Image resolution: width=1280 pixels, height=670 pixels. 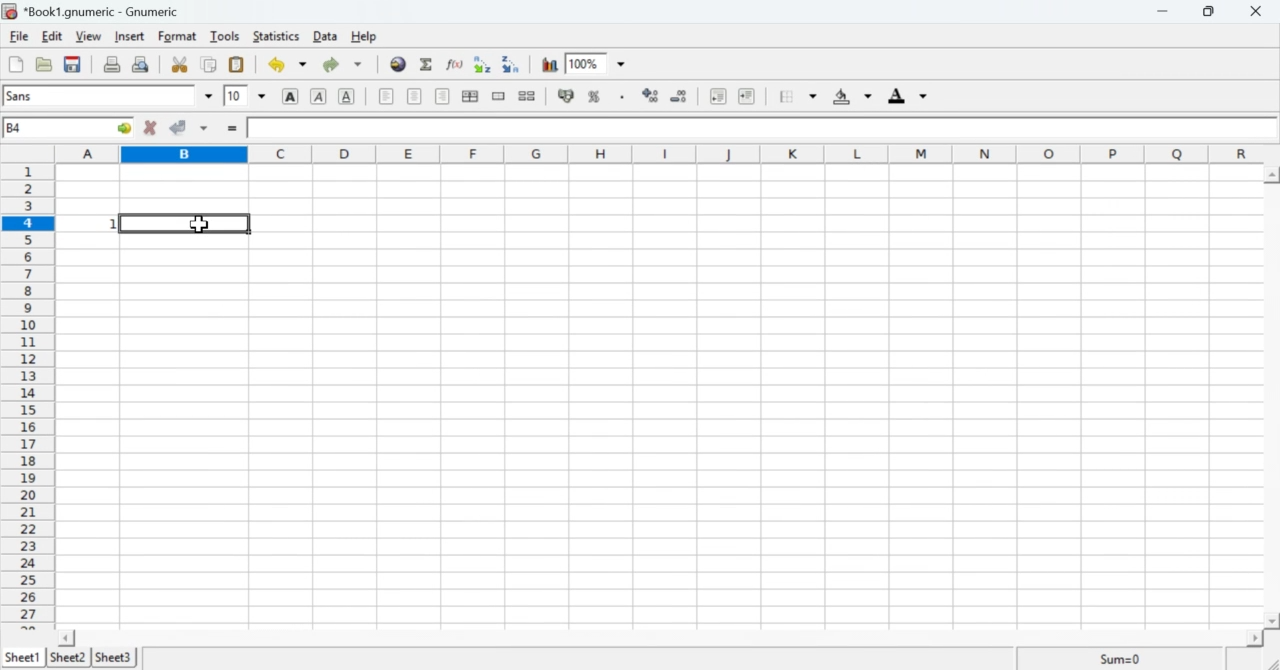 I want to click on View, so click(x=92, y=36).